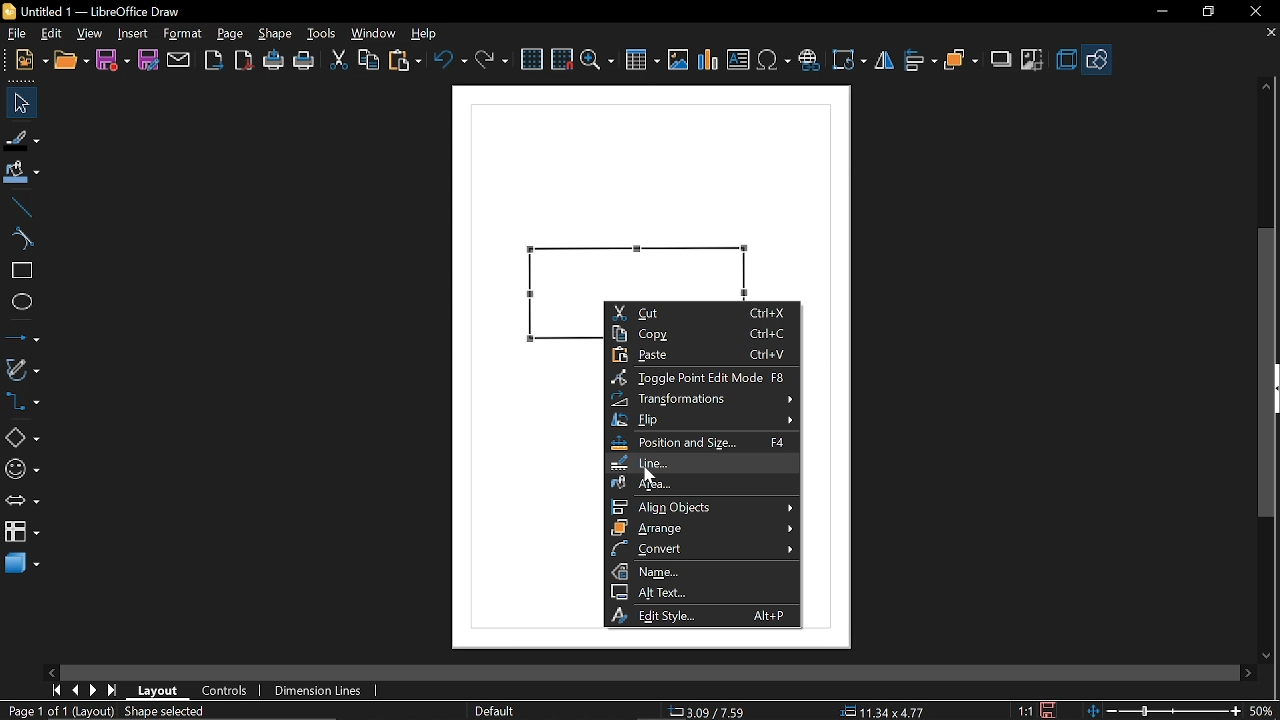 The height and width of the screenshot is (720, 1280). What do you see at coordinates (19, 530) in the screenshot?
I see `flowchart` at bounding box center [19, 530].